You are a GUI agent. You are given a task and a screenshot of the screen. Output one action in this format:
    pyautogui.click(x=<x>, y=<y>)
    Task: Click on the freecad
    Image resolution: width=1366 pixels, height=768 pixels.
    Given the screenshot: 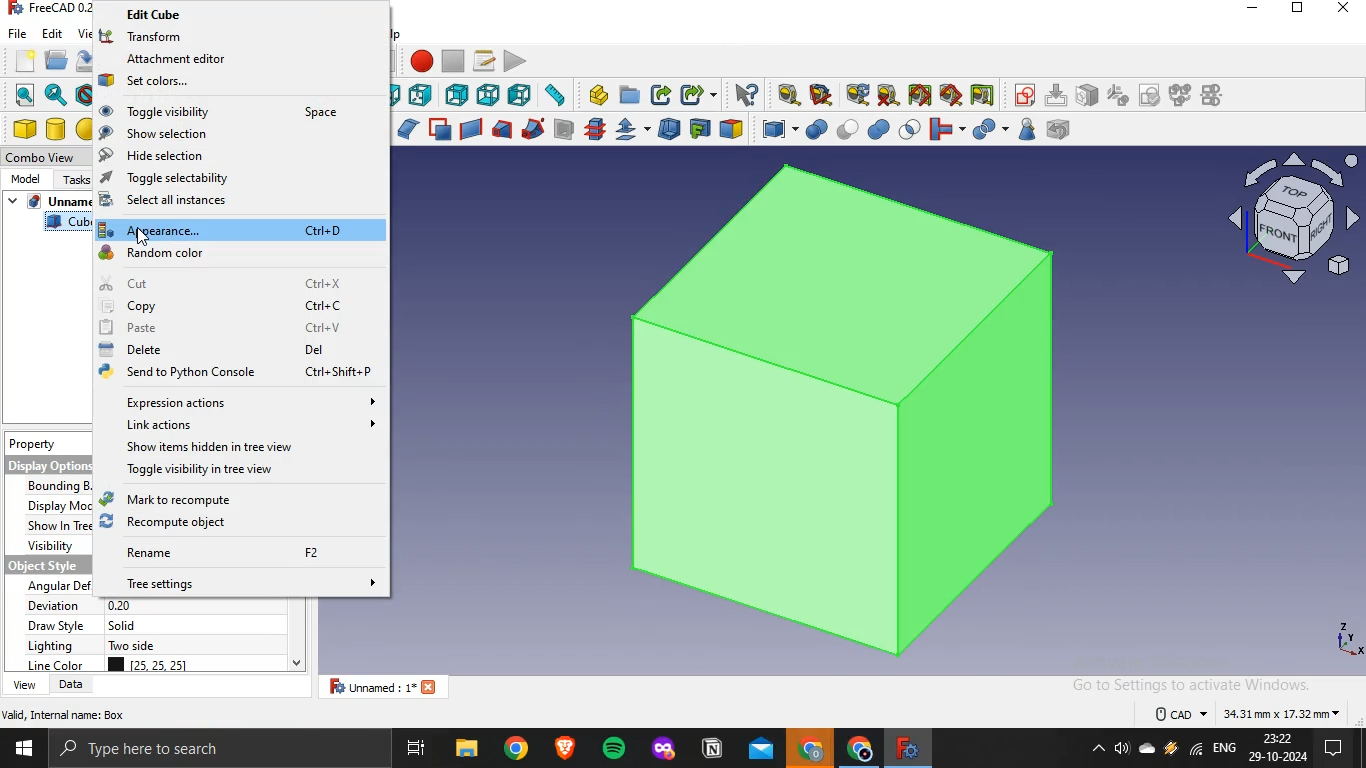 What is the action you would take?
    pyautogui.click(x=905, y=748)
    